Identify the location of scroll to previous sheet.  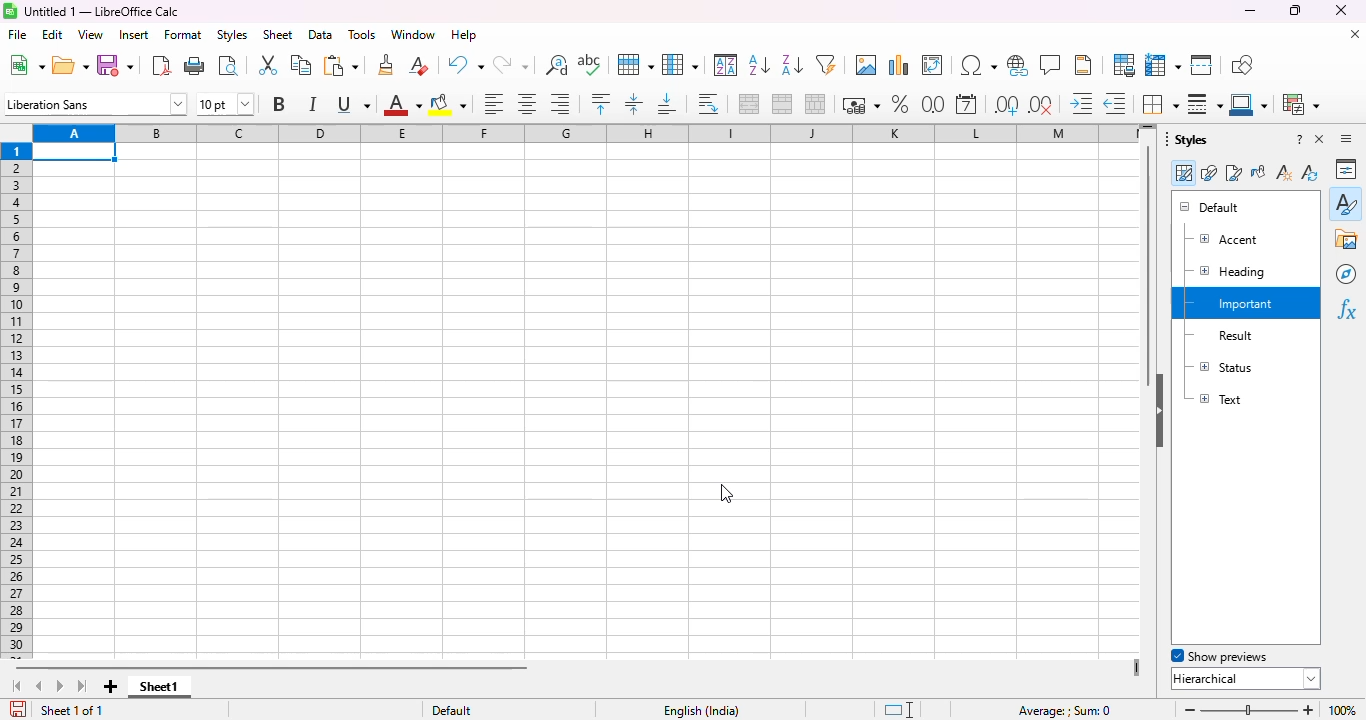
(38, 687).